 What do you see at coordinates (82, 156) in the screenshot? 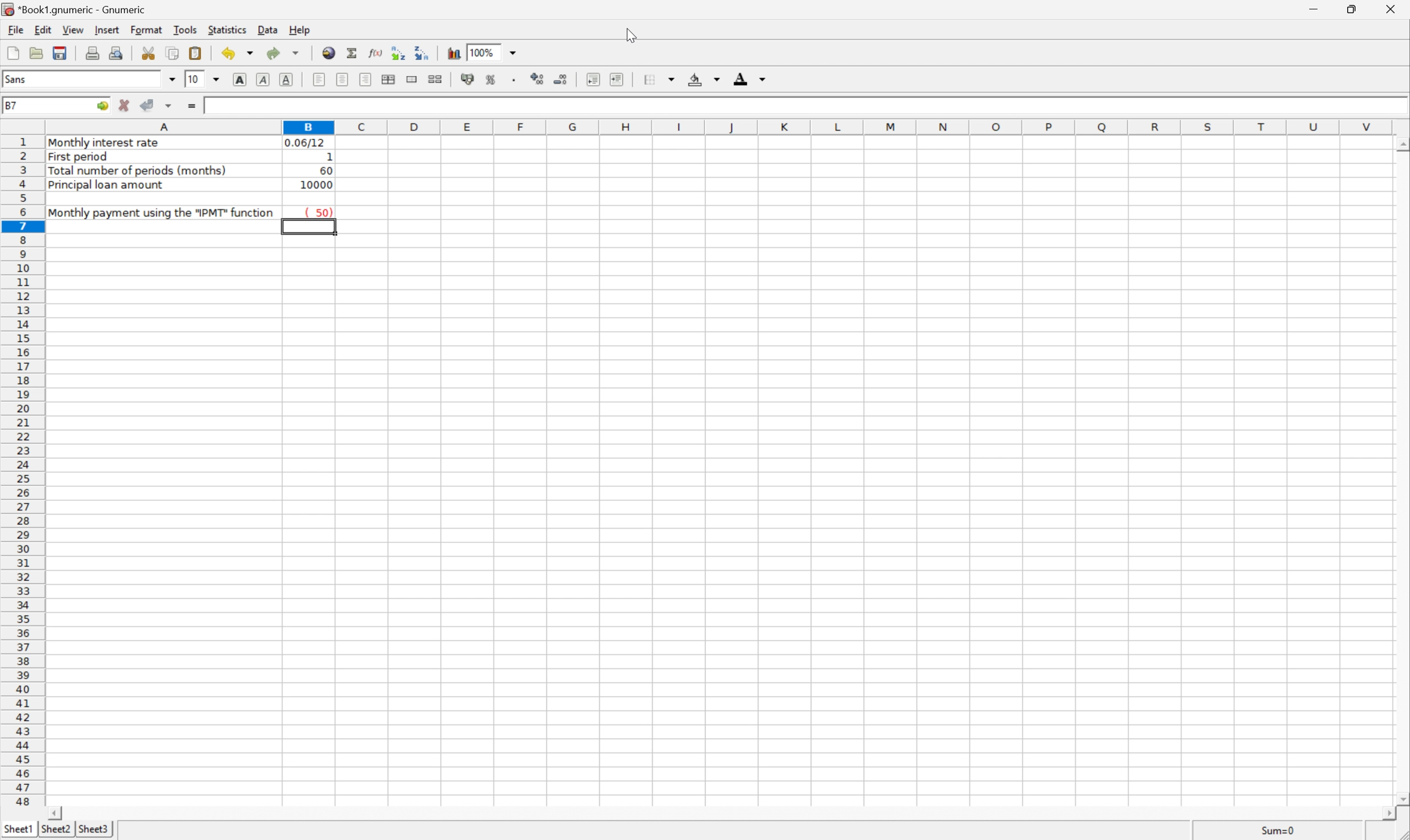
I see `First period` at bounding box center [82, 156].